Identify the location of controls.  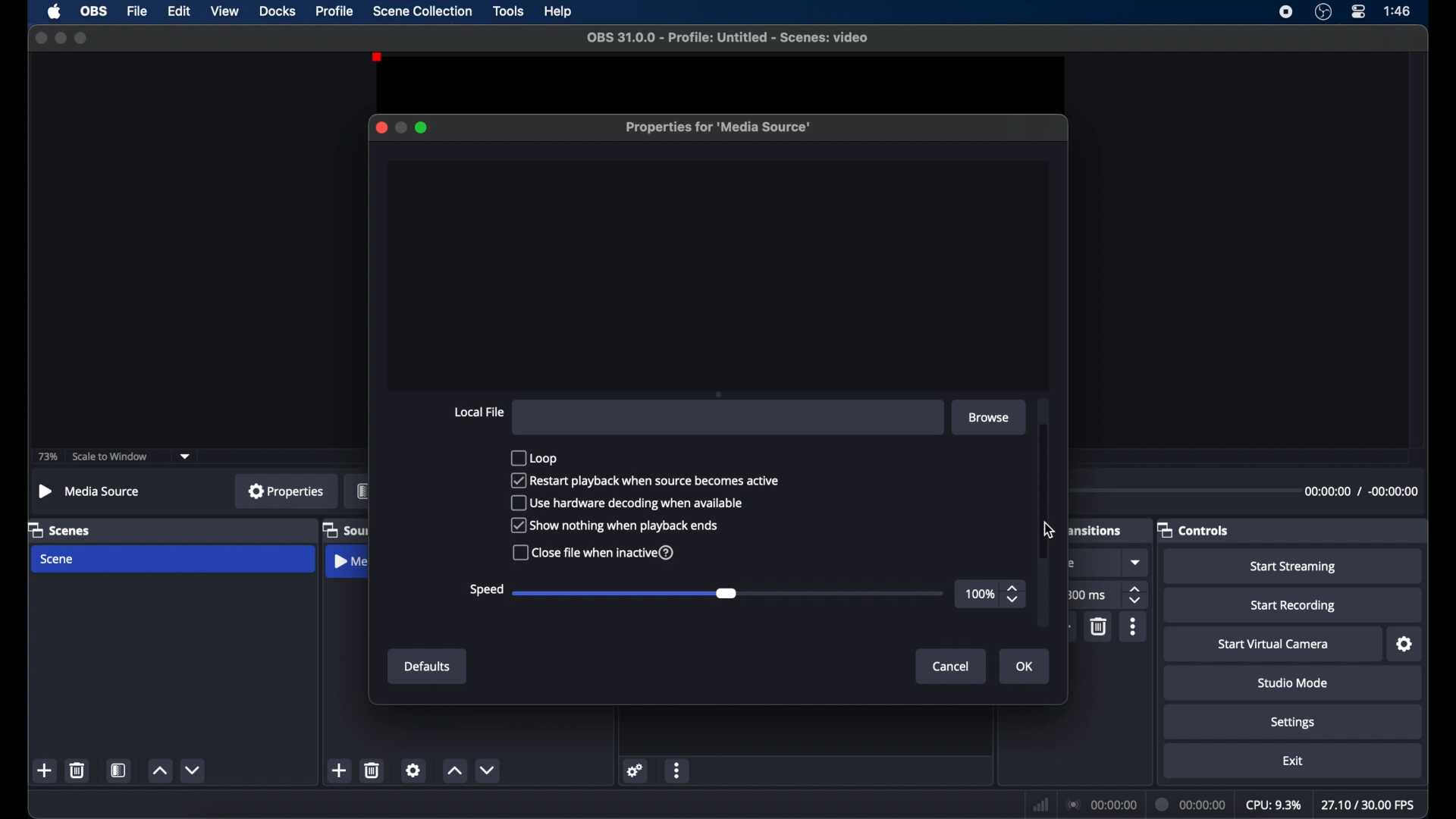
(1192, 531).